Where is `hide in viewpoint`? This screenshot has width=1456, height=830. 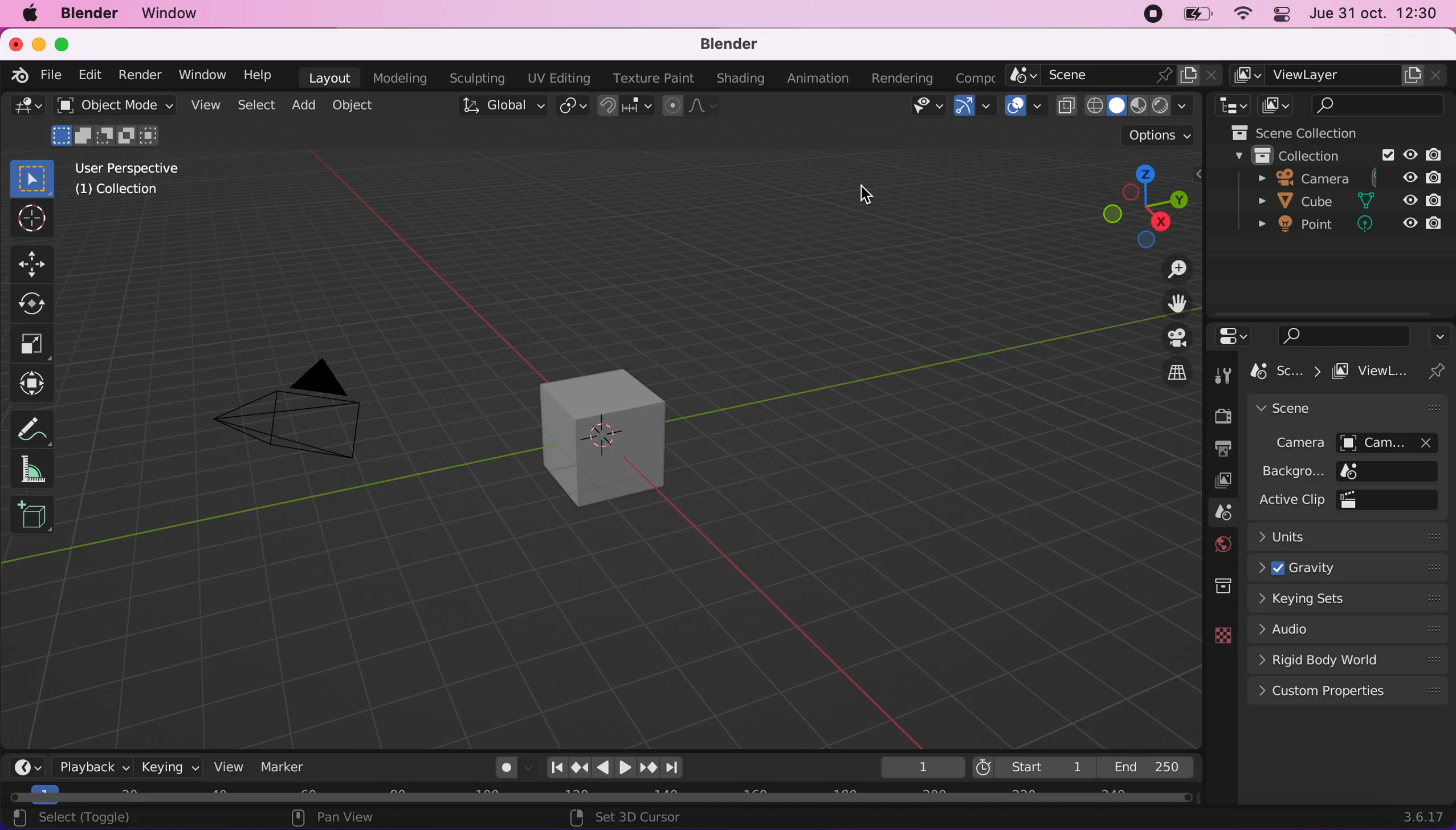 hide in viewpoint is located at coordinates (1410, 200).